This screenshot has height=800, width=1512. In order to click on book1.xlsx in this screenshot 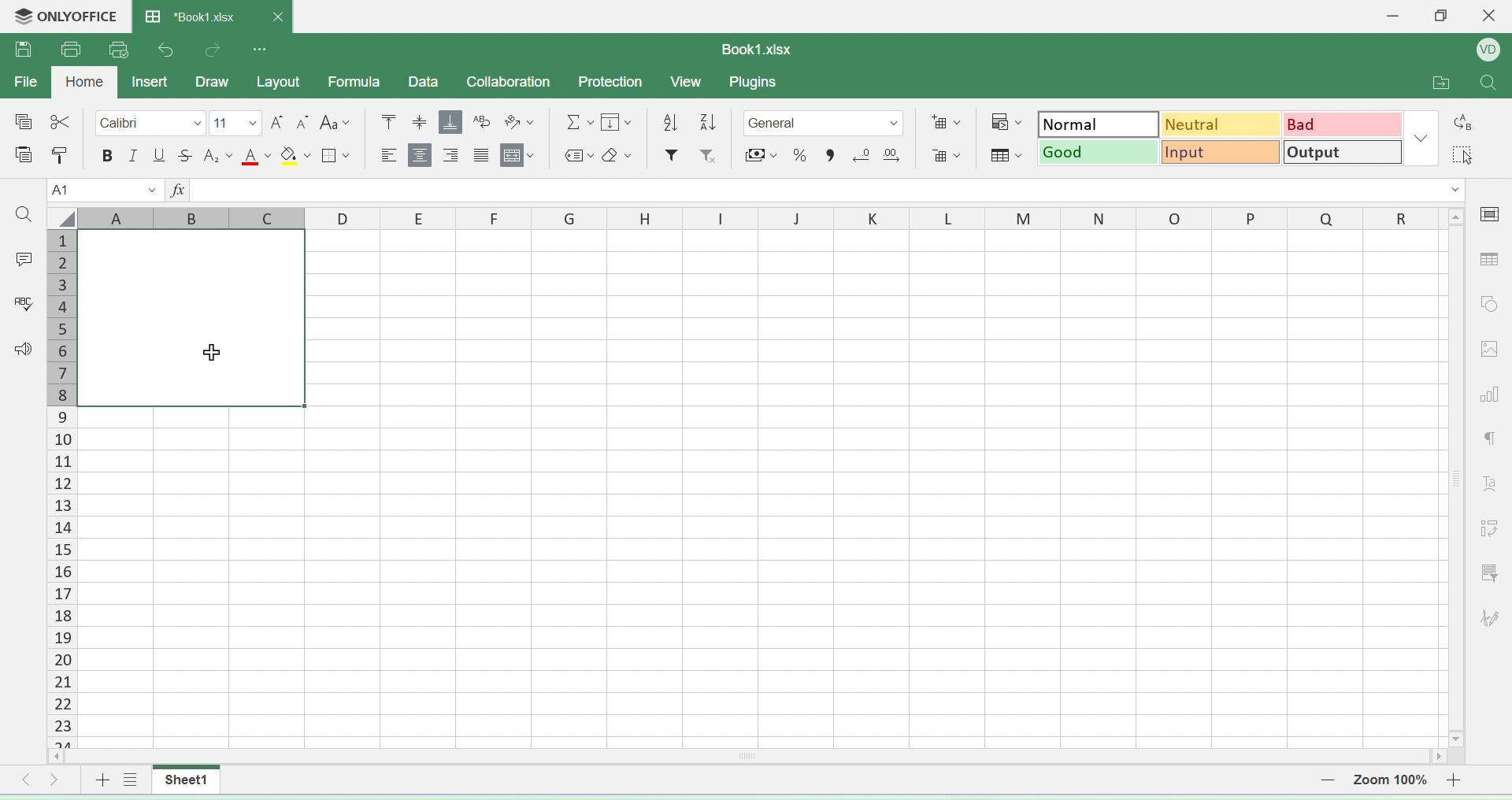, I will do `click(754, 48)`.